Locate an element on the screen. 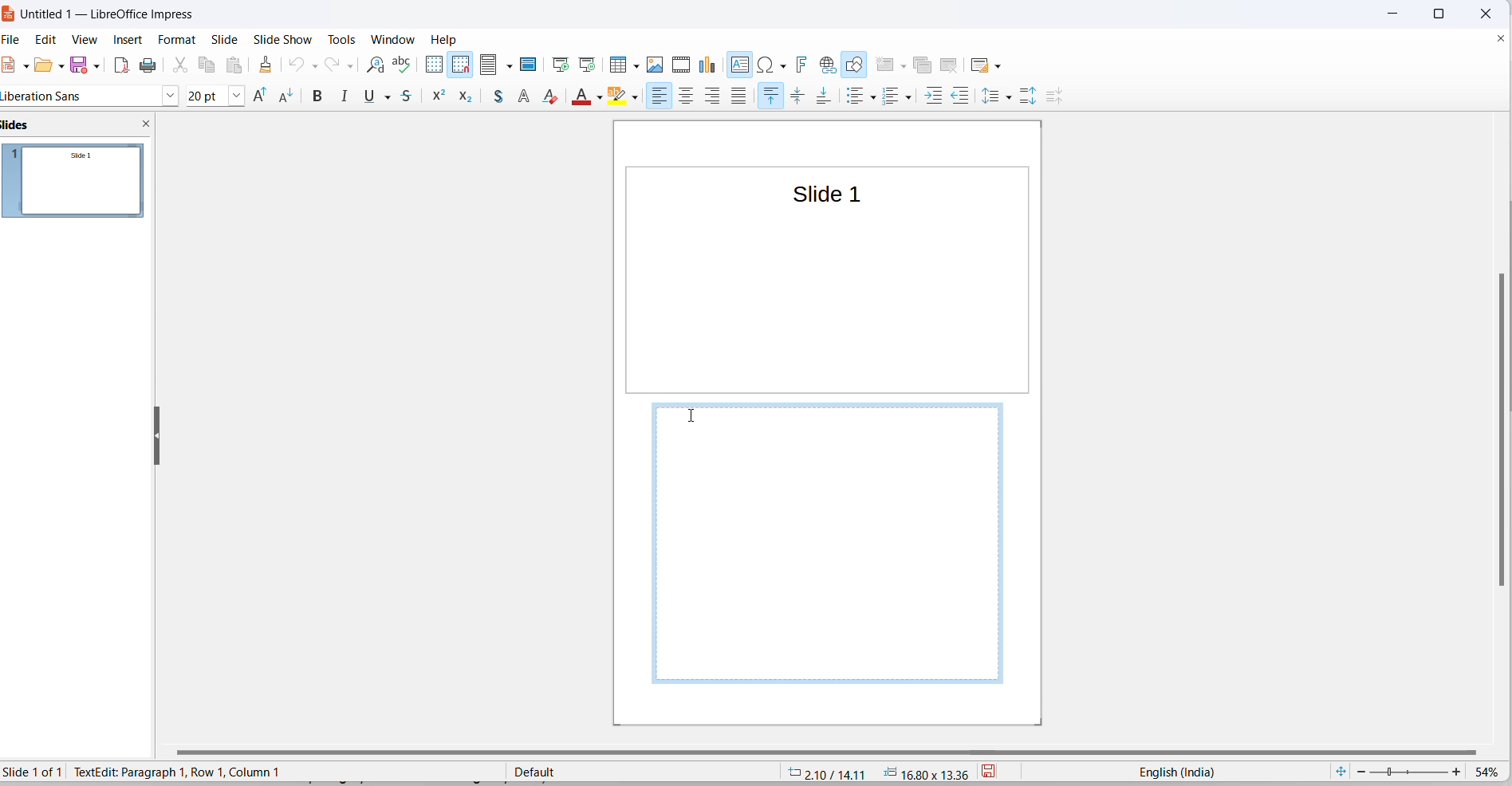  slide canvas is located at coordinates (830, 299).